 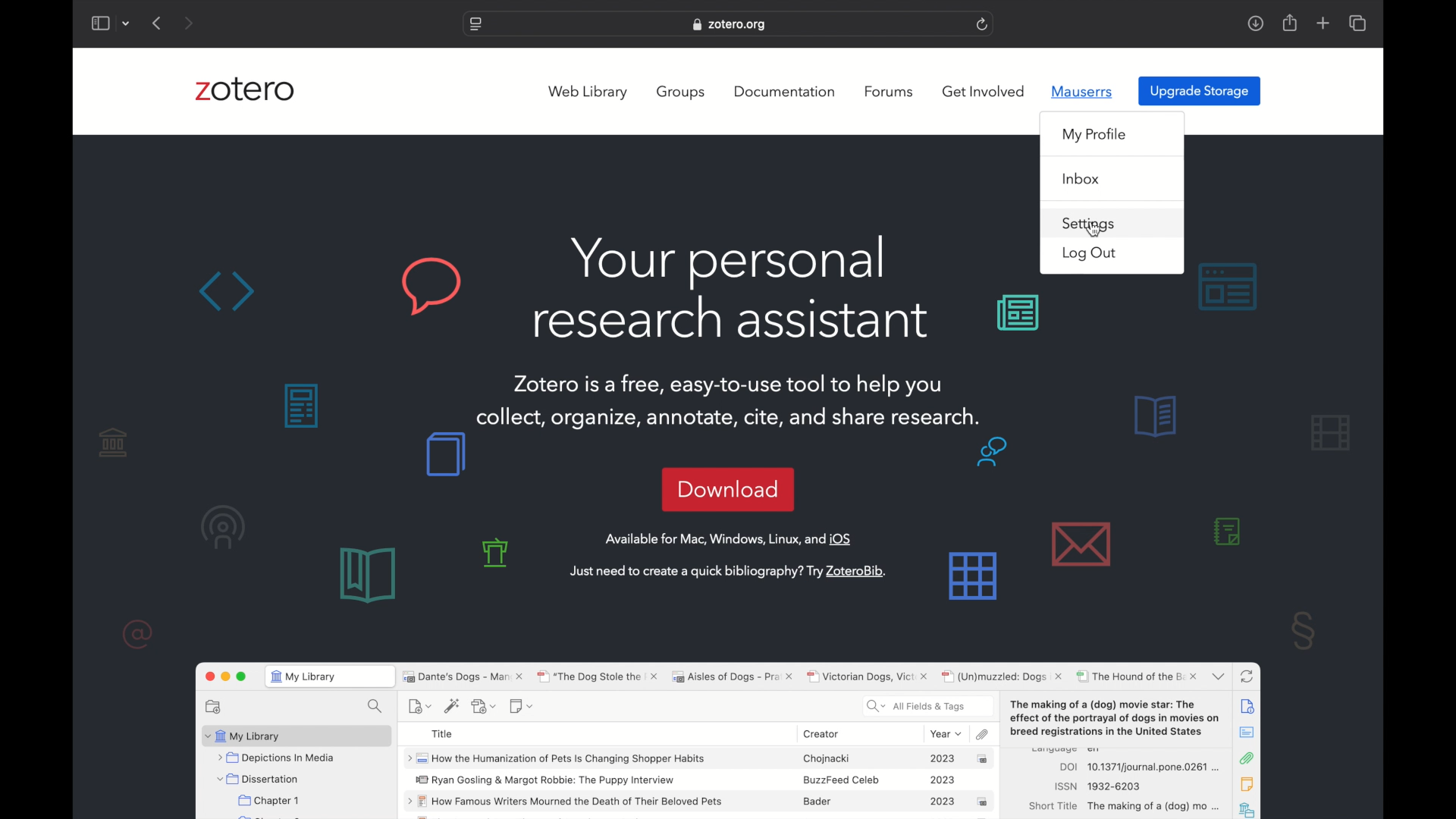 I want to click on next, so click(x=190, y=24).